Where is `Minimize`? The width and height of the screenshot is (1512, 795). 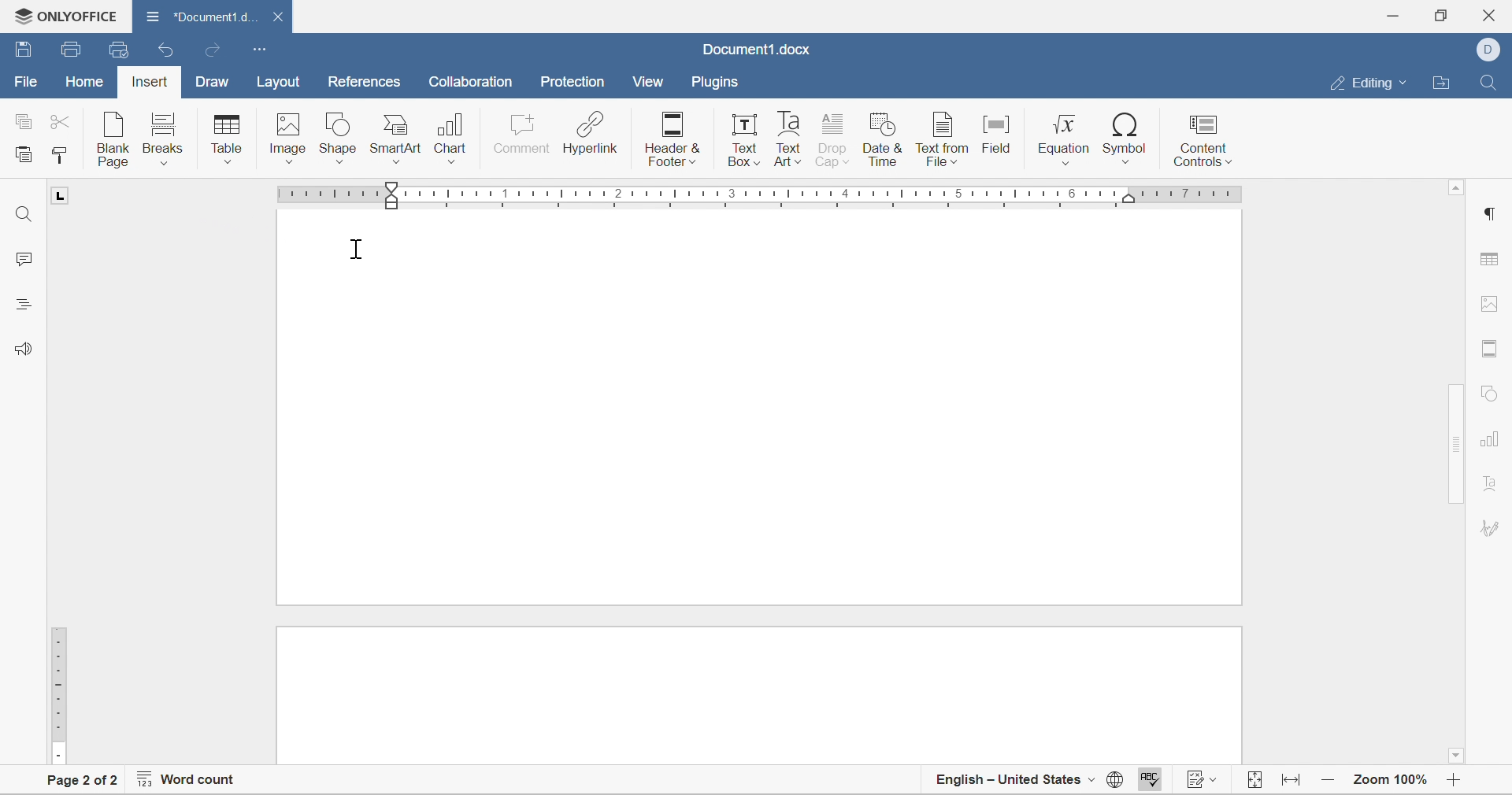 Minimize is located at coordinates (1395, 13).